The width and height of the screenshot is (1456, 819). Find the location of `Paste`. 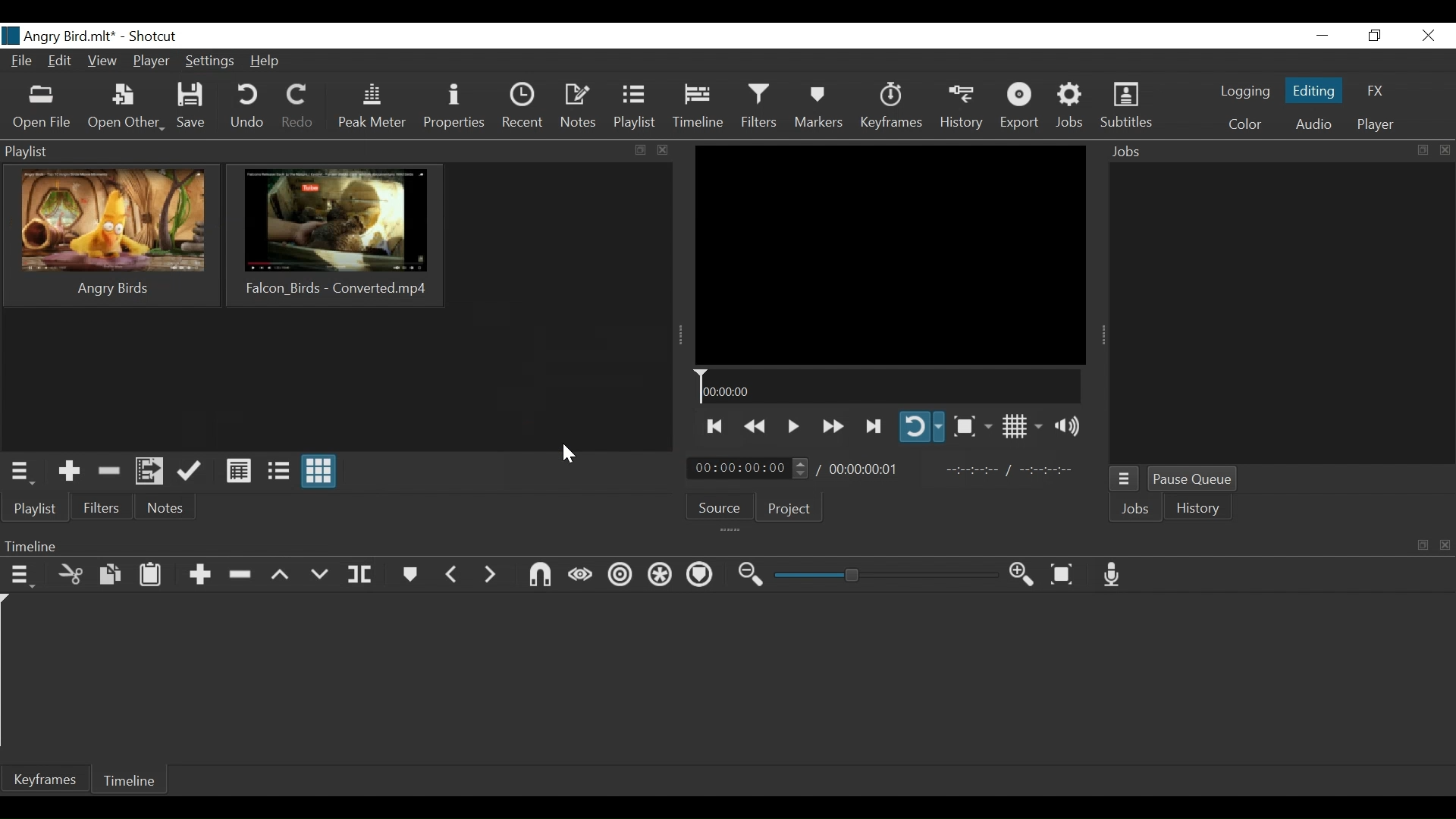

Paste is located at coordinates (151, 576).